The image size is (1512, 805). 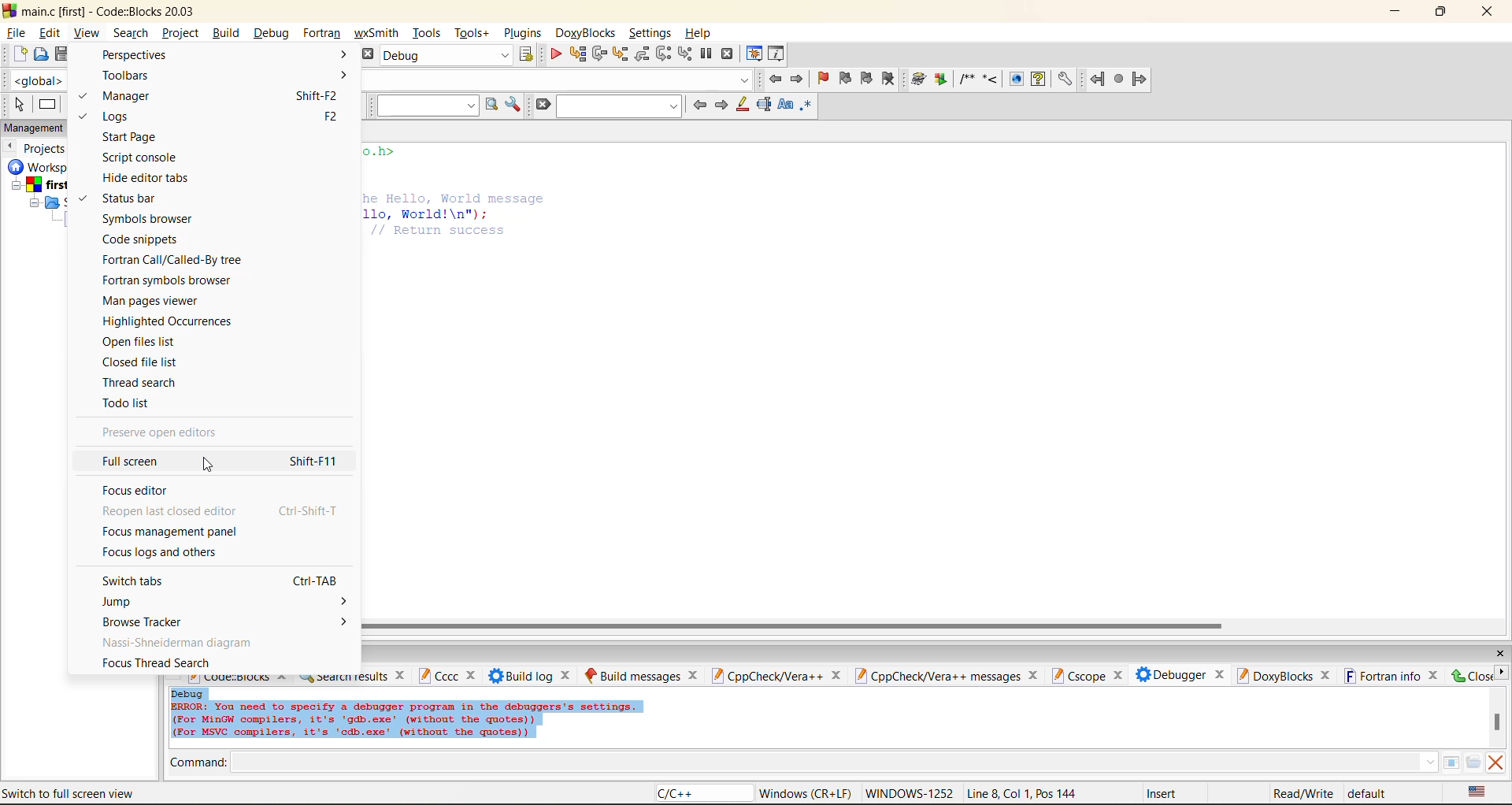 What do you see at coordinates (808, 106) in the screenshot?
I see `use regex` at bounding box center [808, 106].